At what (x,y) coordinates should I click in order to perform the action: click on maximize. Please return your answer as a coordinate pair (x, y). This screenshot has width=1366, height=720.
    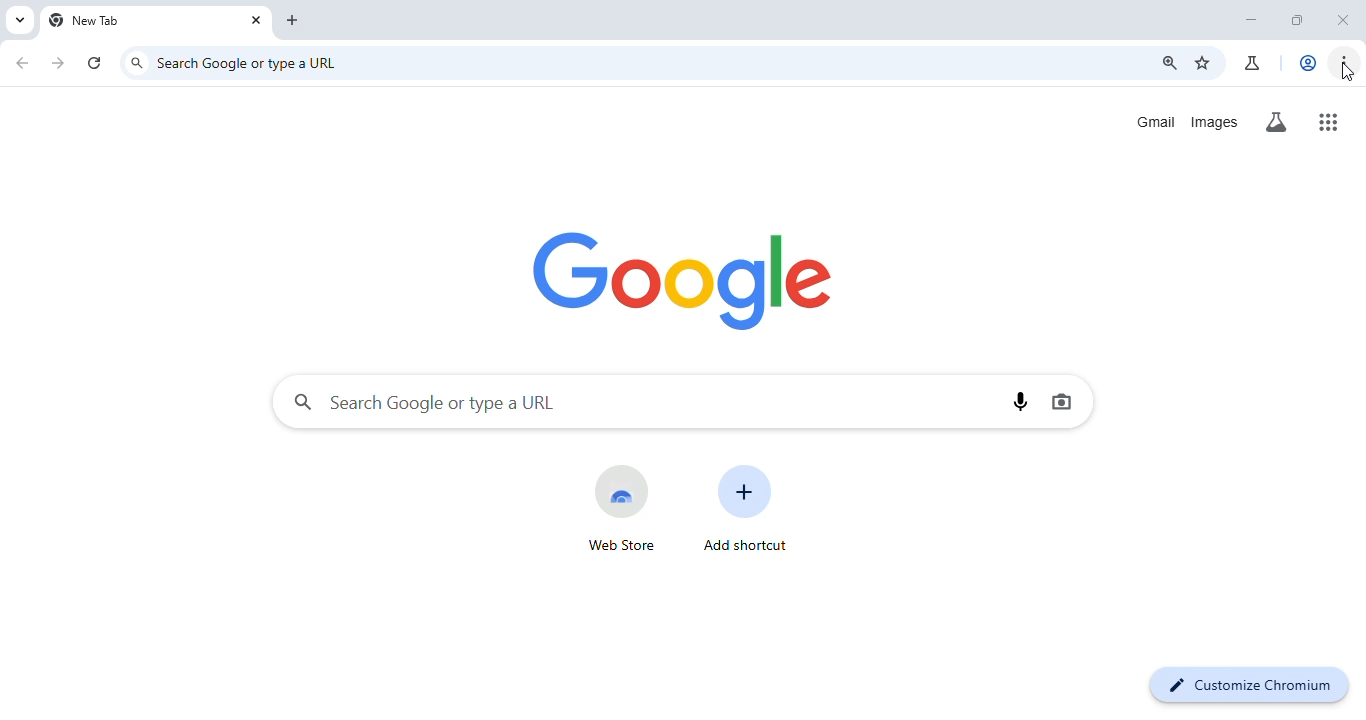
    Looking at the image, I should click on (1298, 21).